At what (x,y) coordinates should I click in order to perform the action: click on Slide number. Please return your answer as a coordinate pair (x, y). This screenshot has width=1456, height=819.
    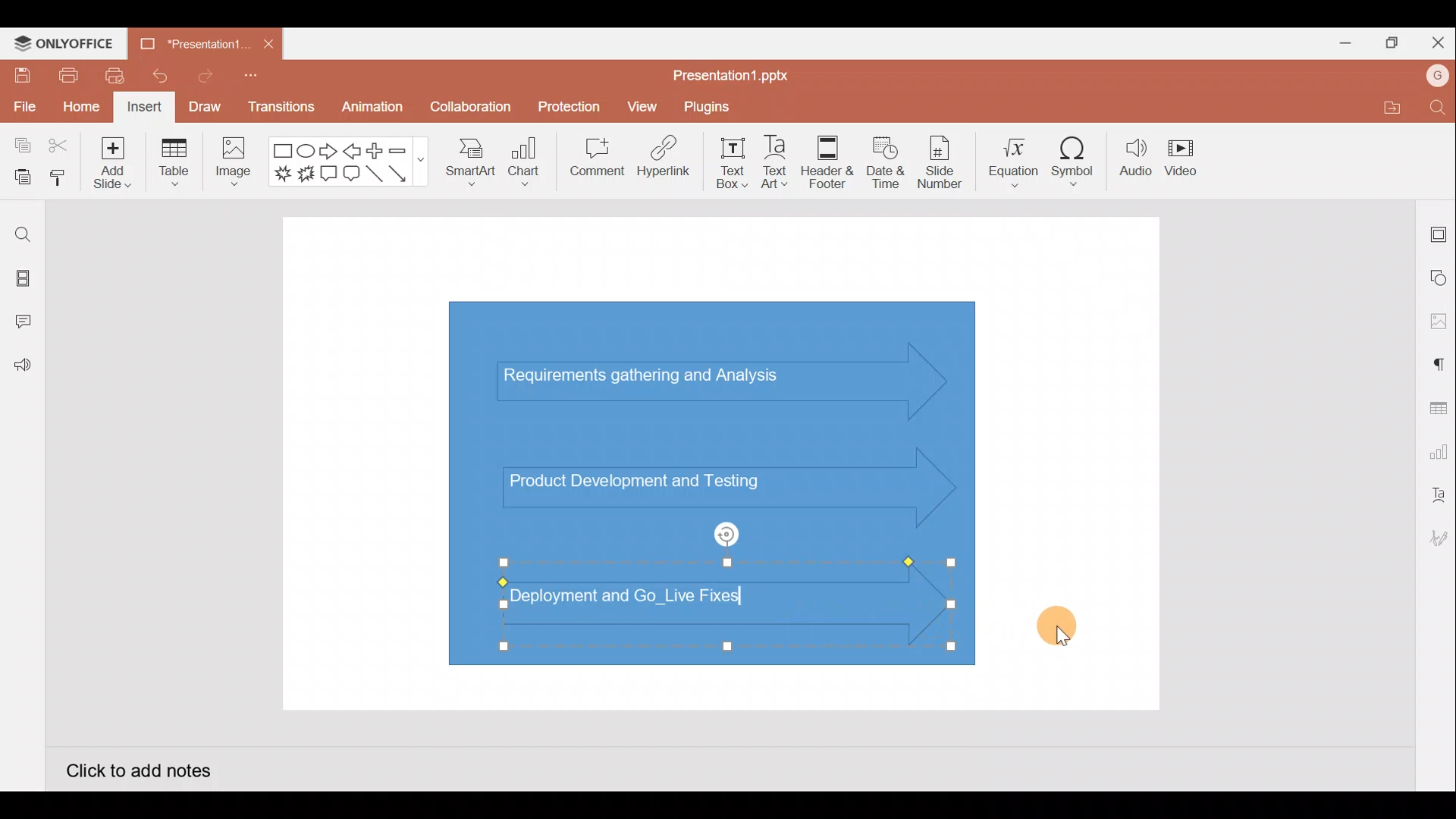
    Looking at the image, I should click on (939, 162).